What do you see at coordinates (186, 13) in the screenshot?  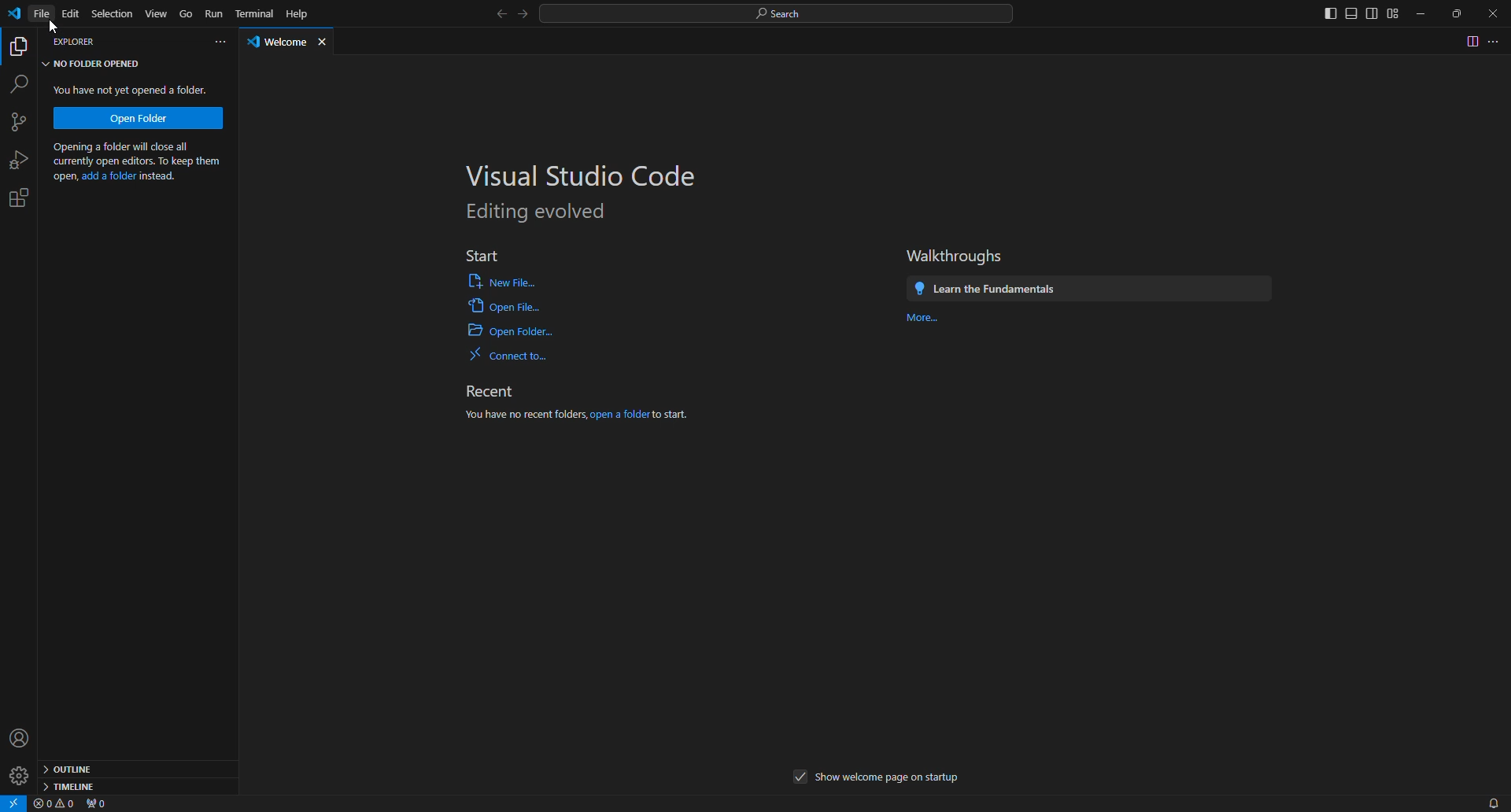 I see `go` at bounding box center [186, 13].